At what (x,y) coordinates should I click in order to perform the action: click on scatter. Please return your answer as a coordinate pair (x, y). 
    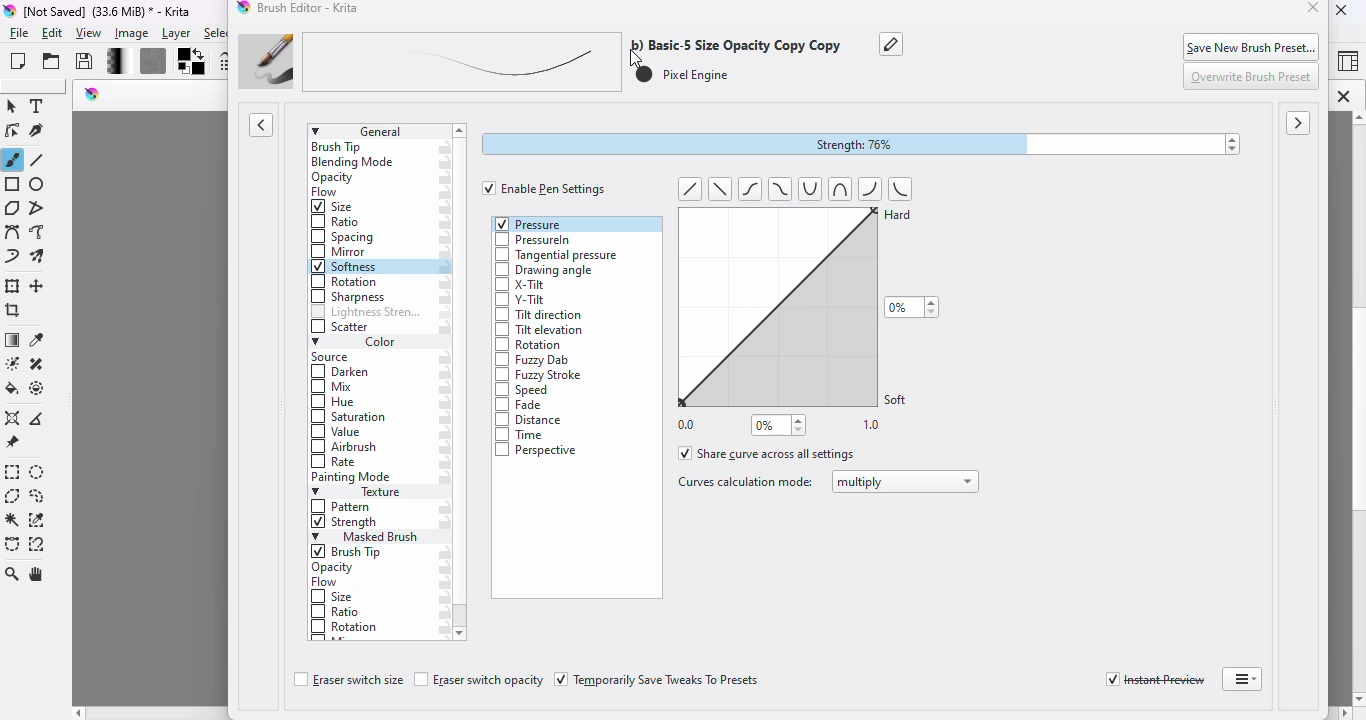
    Looking at the image, I should click on (341, 328).